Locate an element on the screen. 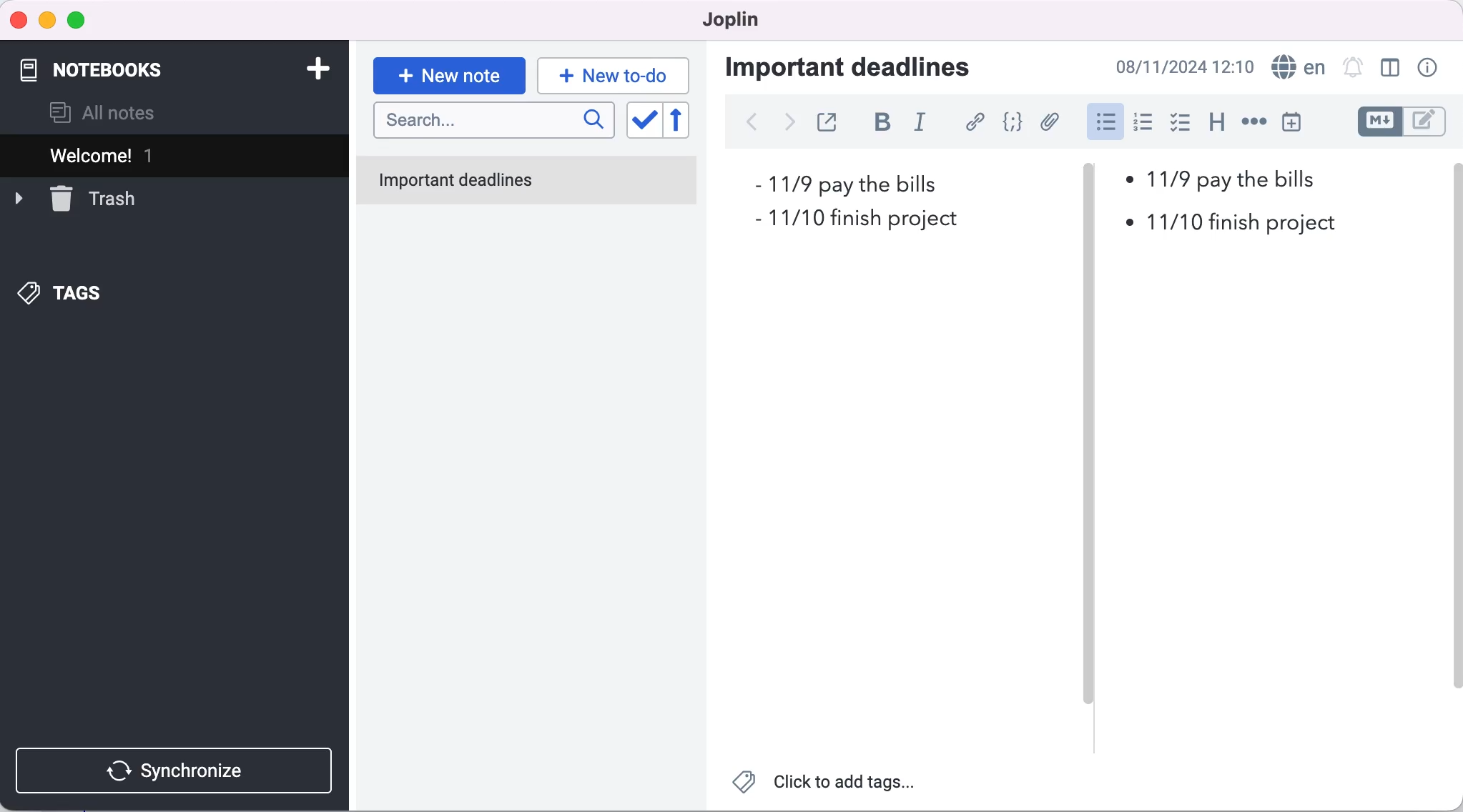 This screenshot has height=812, width=1463. toggle editors is located at coordinates (1407, 124).